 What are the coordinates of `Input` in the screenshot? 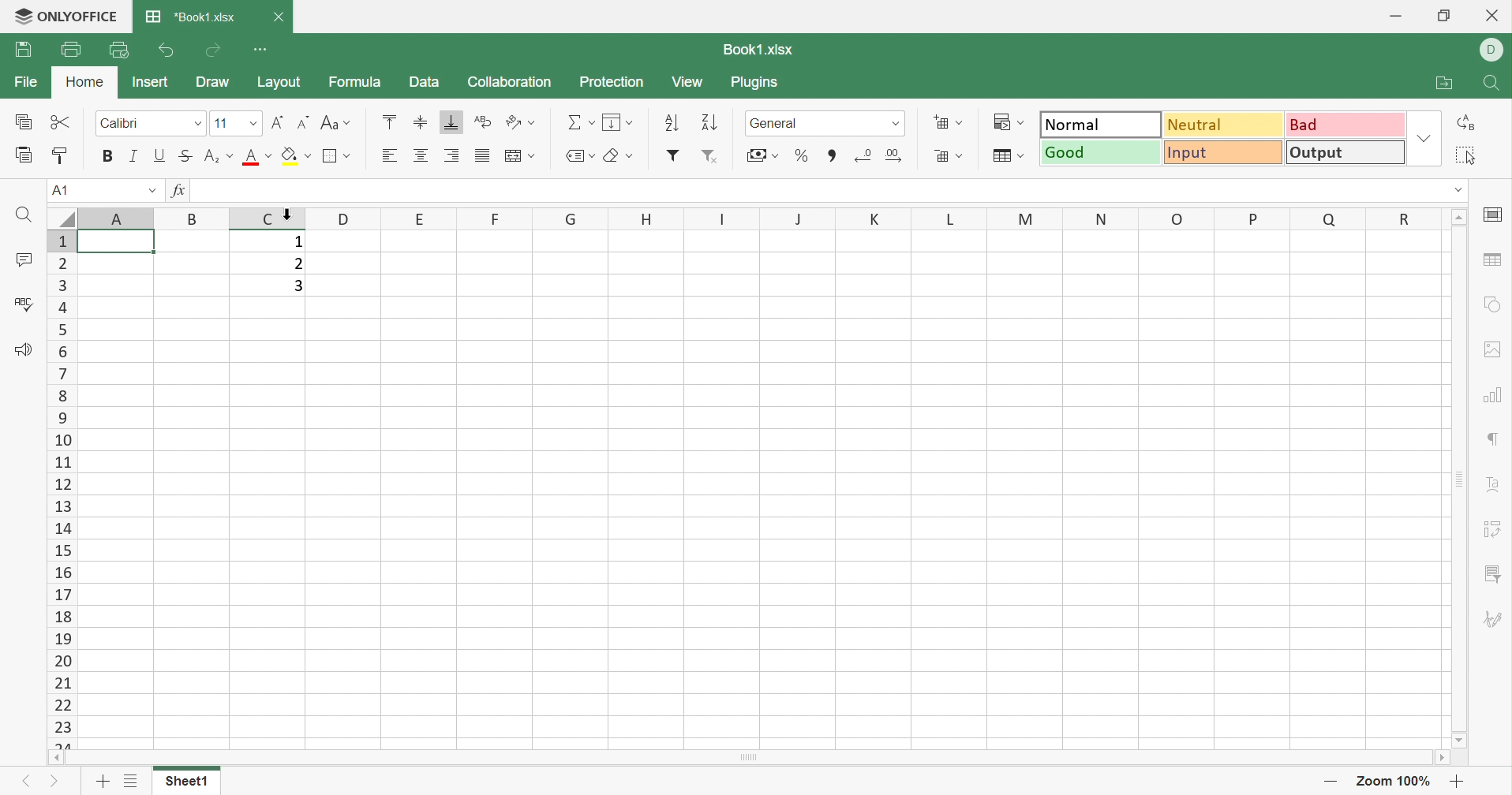 It's located at (1225, 155).